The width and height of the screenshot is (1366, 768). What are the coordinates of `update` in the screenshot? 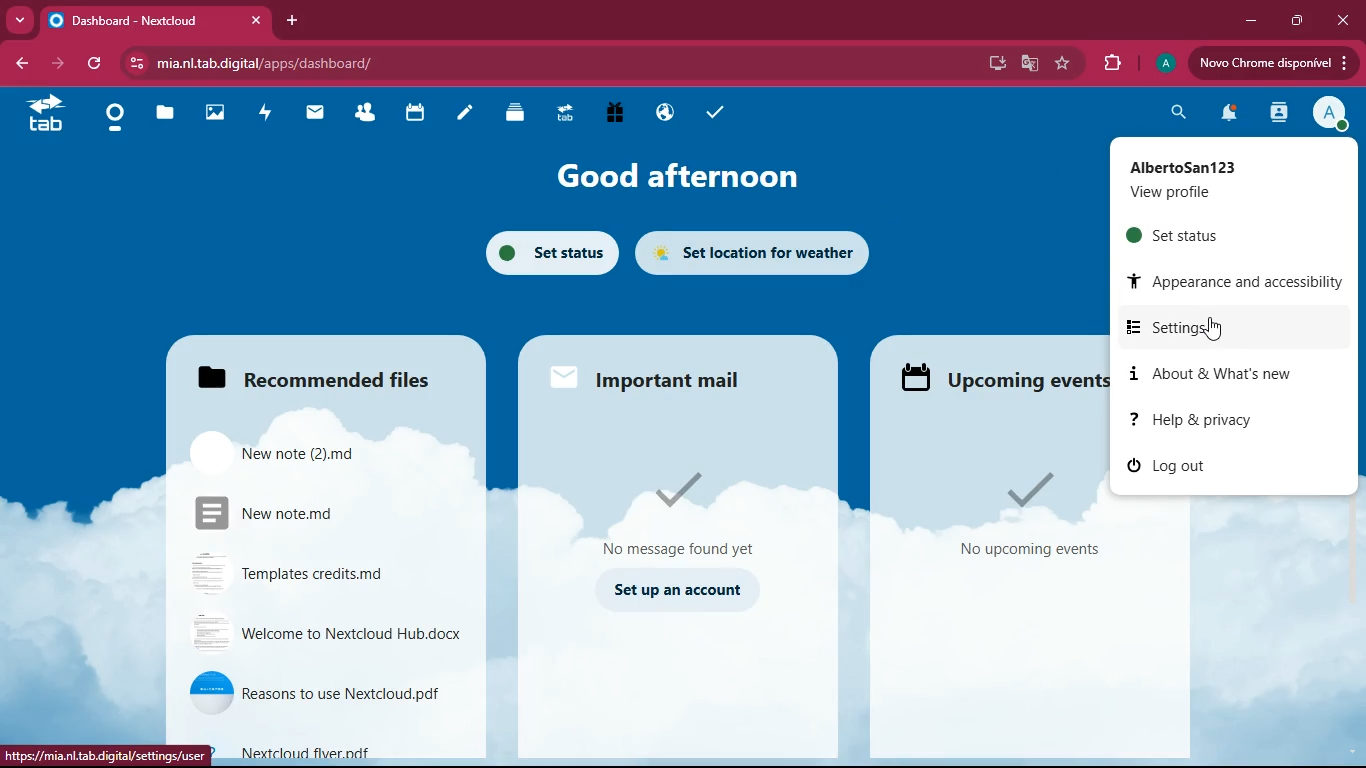 It's located at (1270, 63).